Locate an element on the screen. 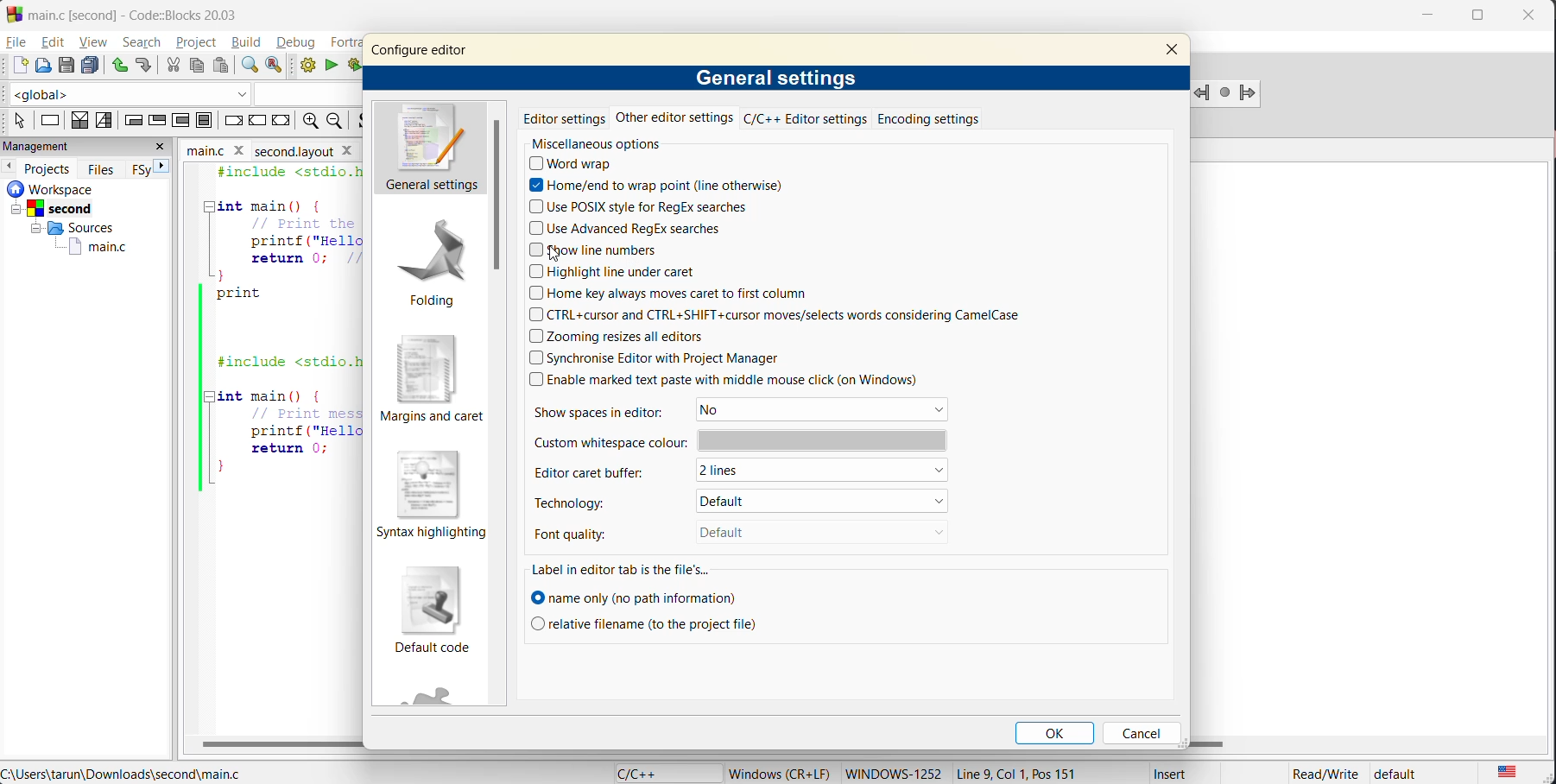  cancel is located at coordinates (1143, 730).